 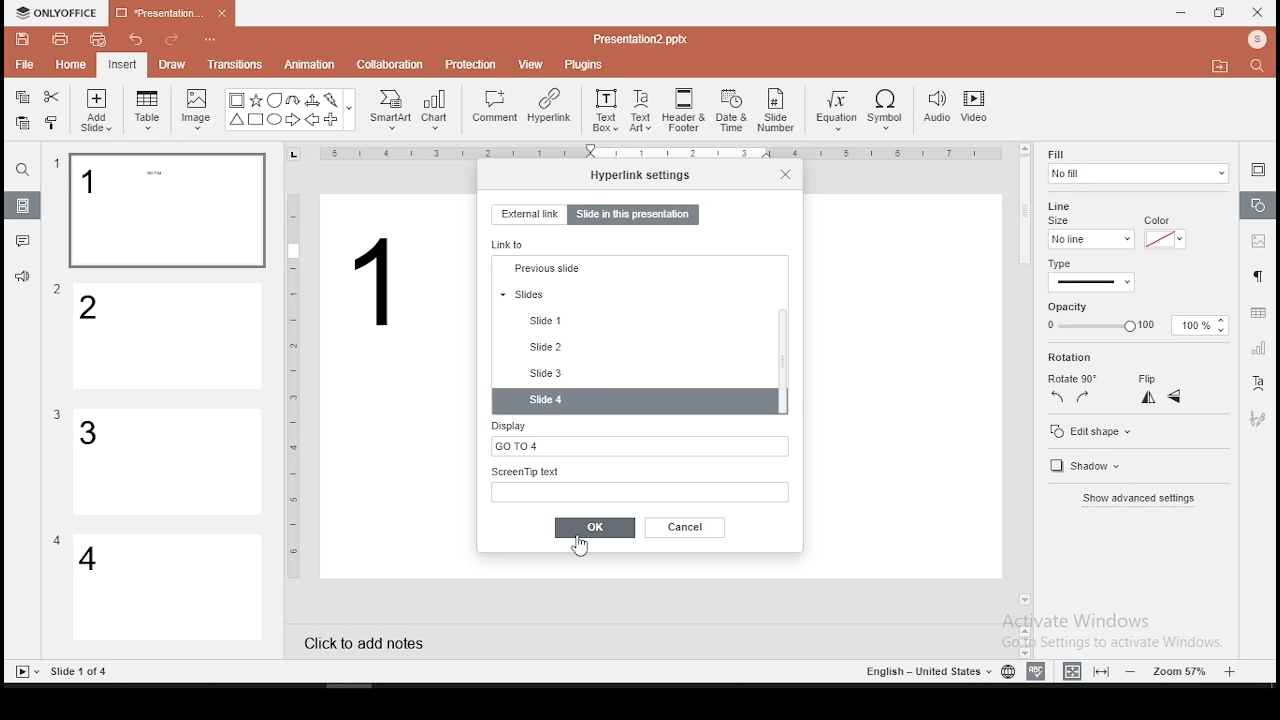 What do you see at coordinates (211, 42) in the screenshot?
I see `` at bounding box center [211, 42].